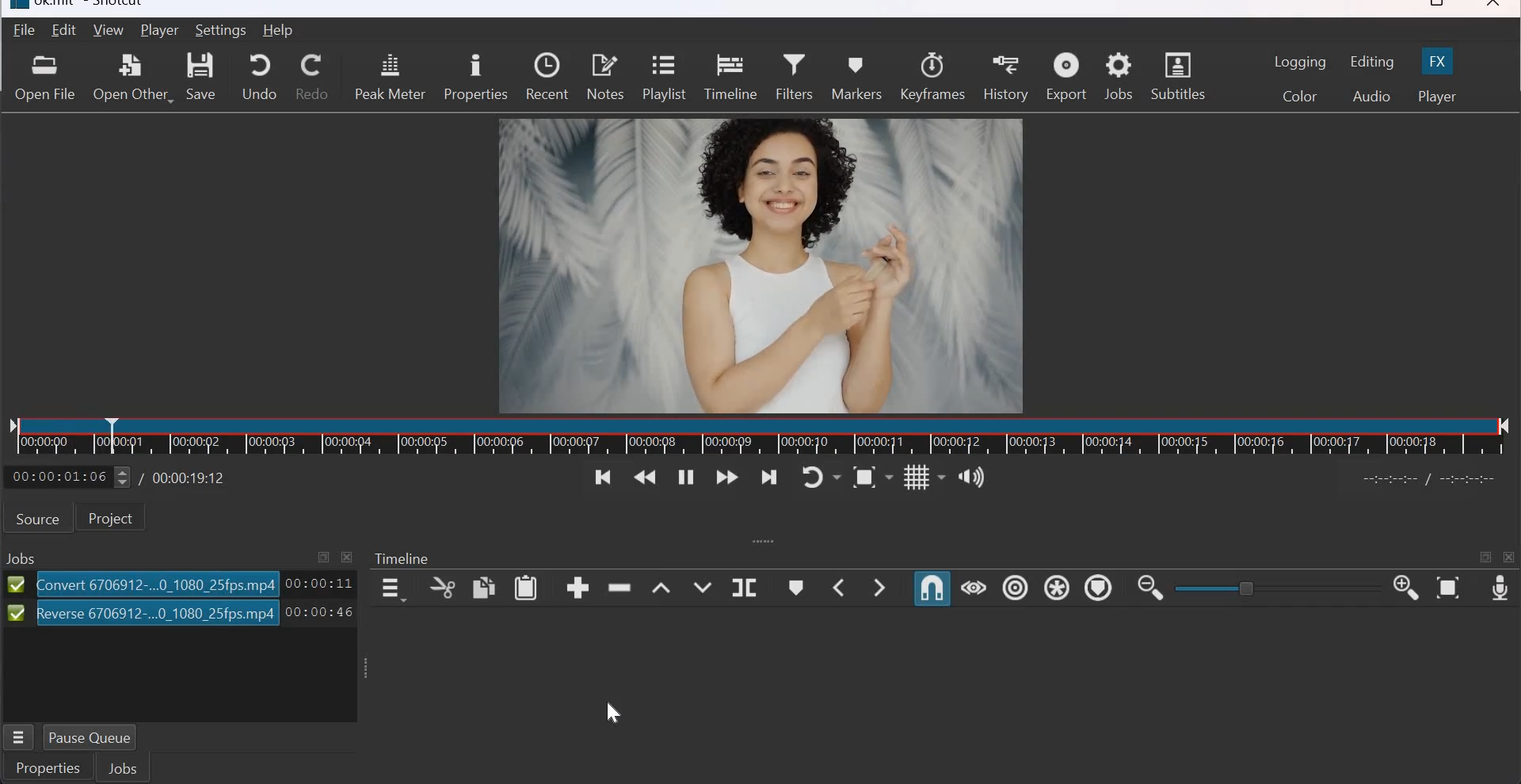 The height and width of the screenshot is (784, 1521). What do you see at coordinates (48, 768) in the screenshot?
I see `Properties` at bounding box center [48, 768].